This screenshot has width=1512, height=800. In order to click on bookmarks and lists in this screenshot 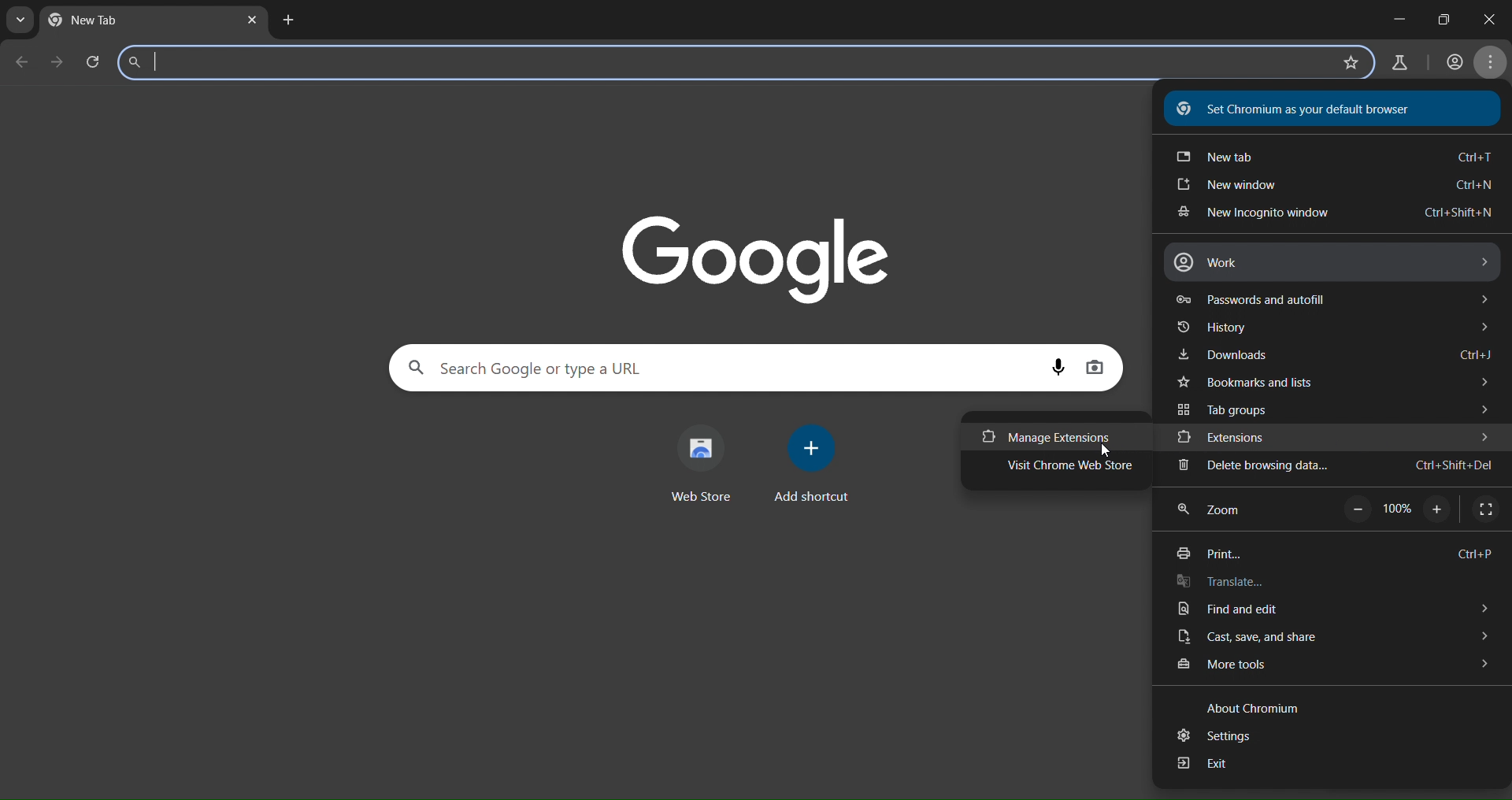, I will do `click(1332, 380)`.